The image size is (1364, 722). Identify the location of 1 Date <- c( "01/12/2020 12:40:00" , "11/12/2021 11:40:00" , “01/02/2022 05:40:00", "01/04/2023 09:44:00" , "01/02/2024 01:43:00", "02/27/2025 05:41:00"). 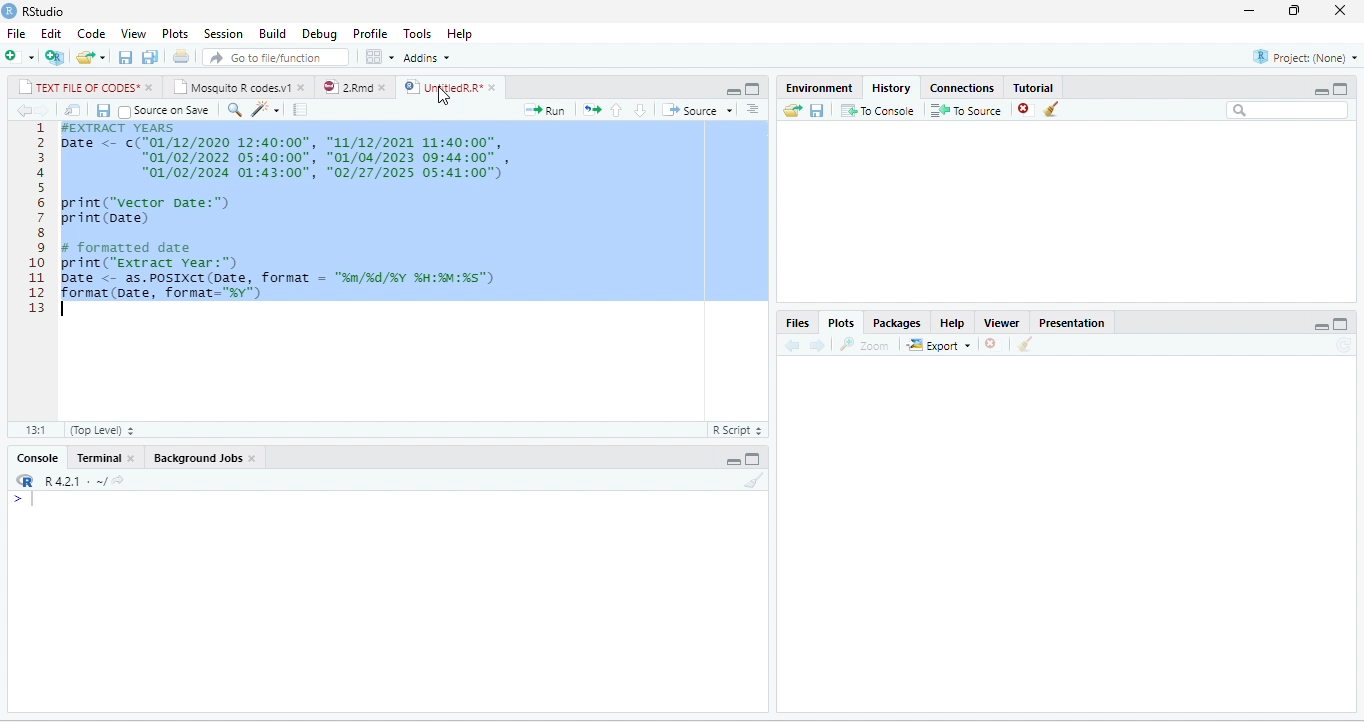
(290, 158).